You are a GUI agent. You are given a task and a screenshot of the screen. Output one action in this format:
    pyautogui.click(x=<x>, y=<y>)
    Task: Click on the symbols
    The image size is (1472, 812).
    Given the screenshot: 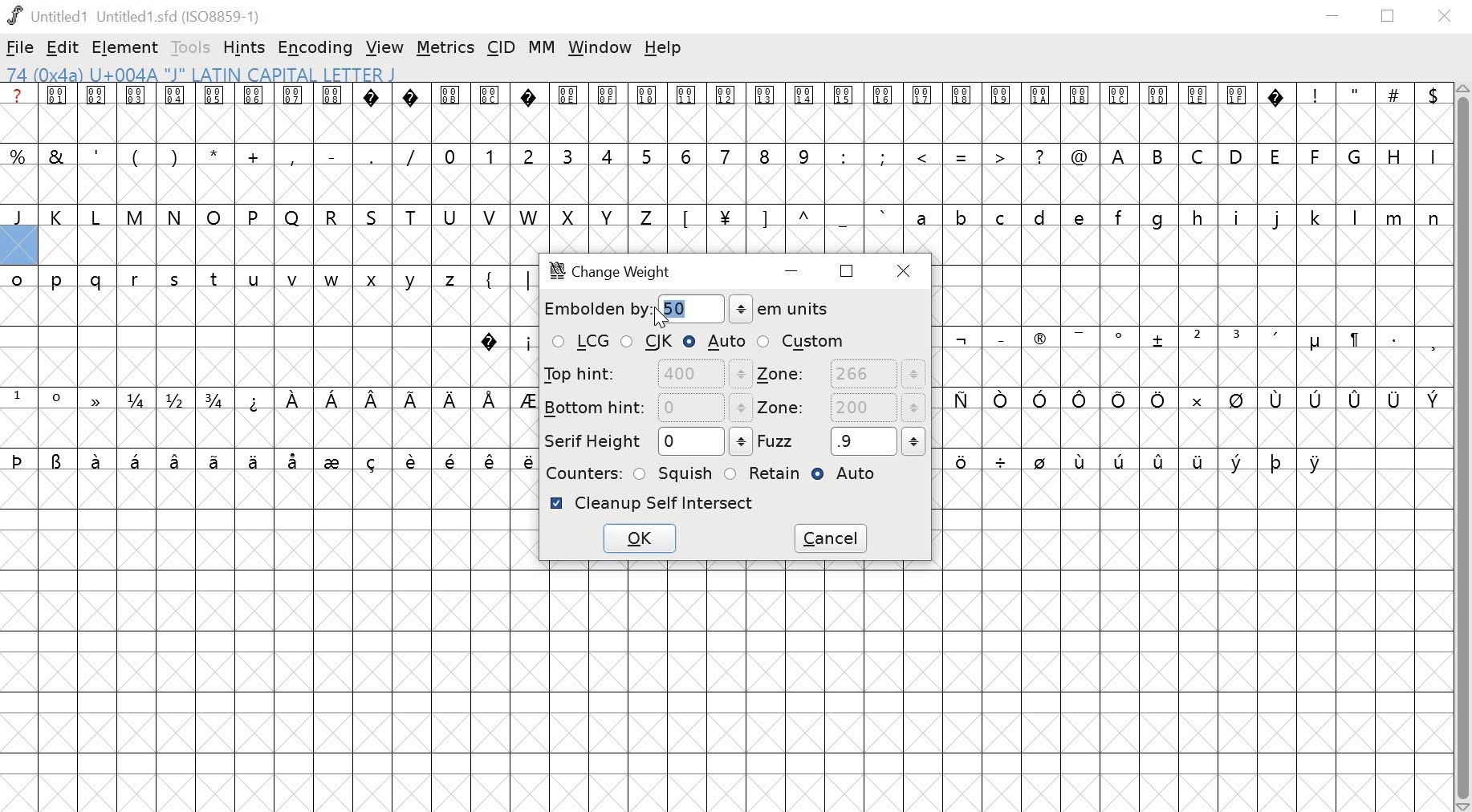 What is the action you would take?
    pyautogui.click(x=1197, y=340)
    